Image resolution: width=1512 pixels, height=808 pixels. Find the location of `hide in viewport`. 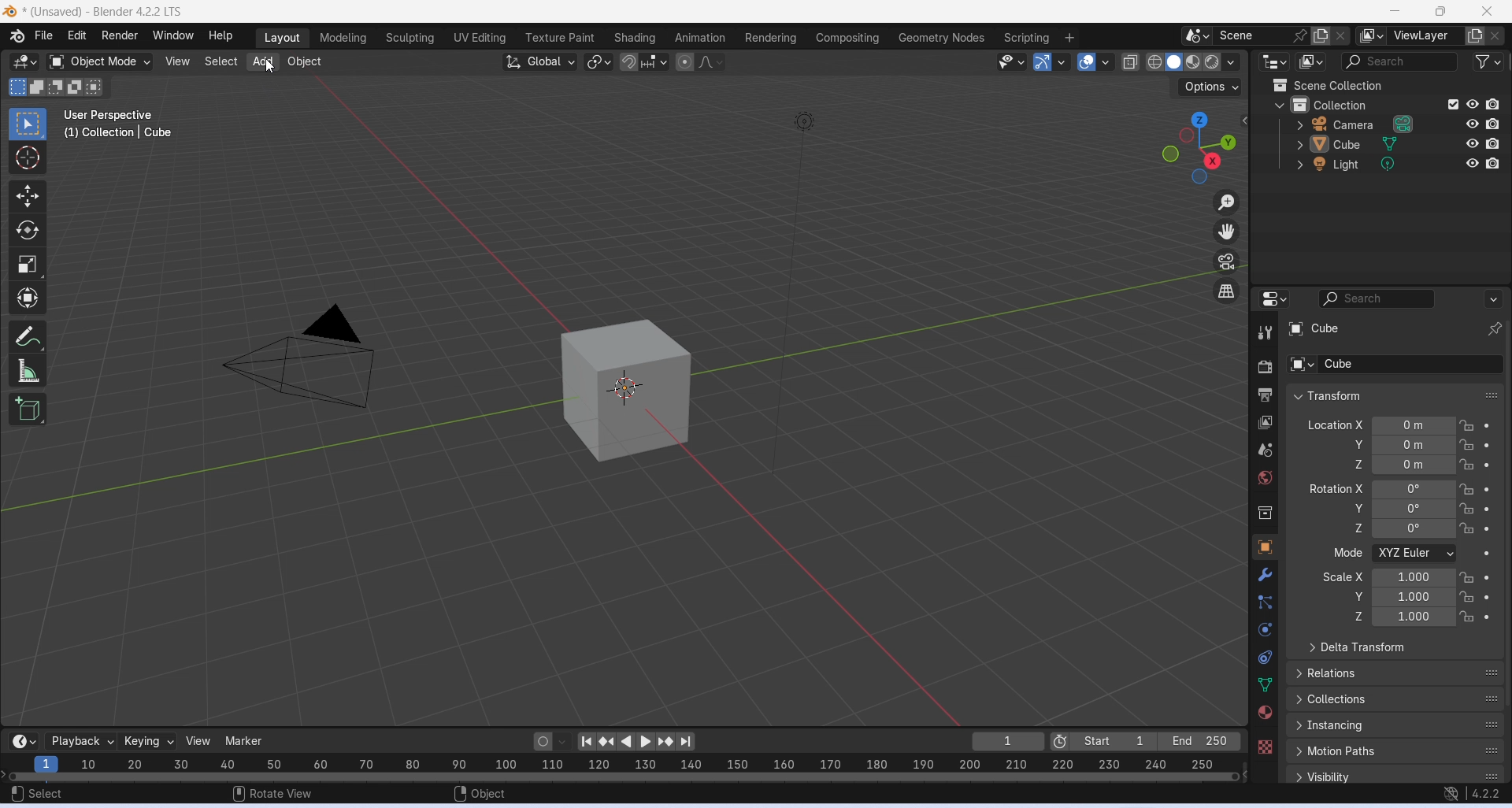

hide in viewport is located at coordinates (1473, 104).